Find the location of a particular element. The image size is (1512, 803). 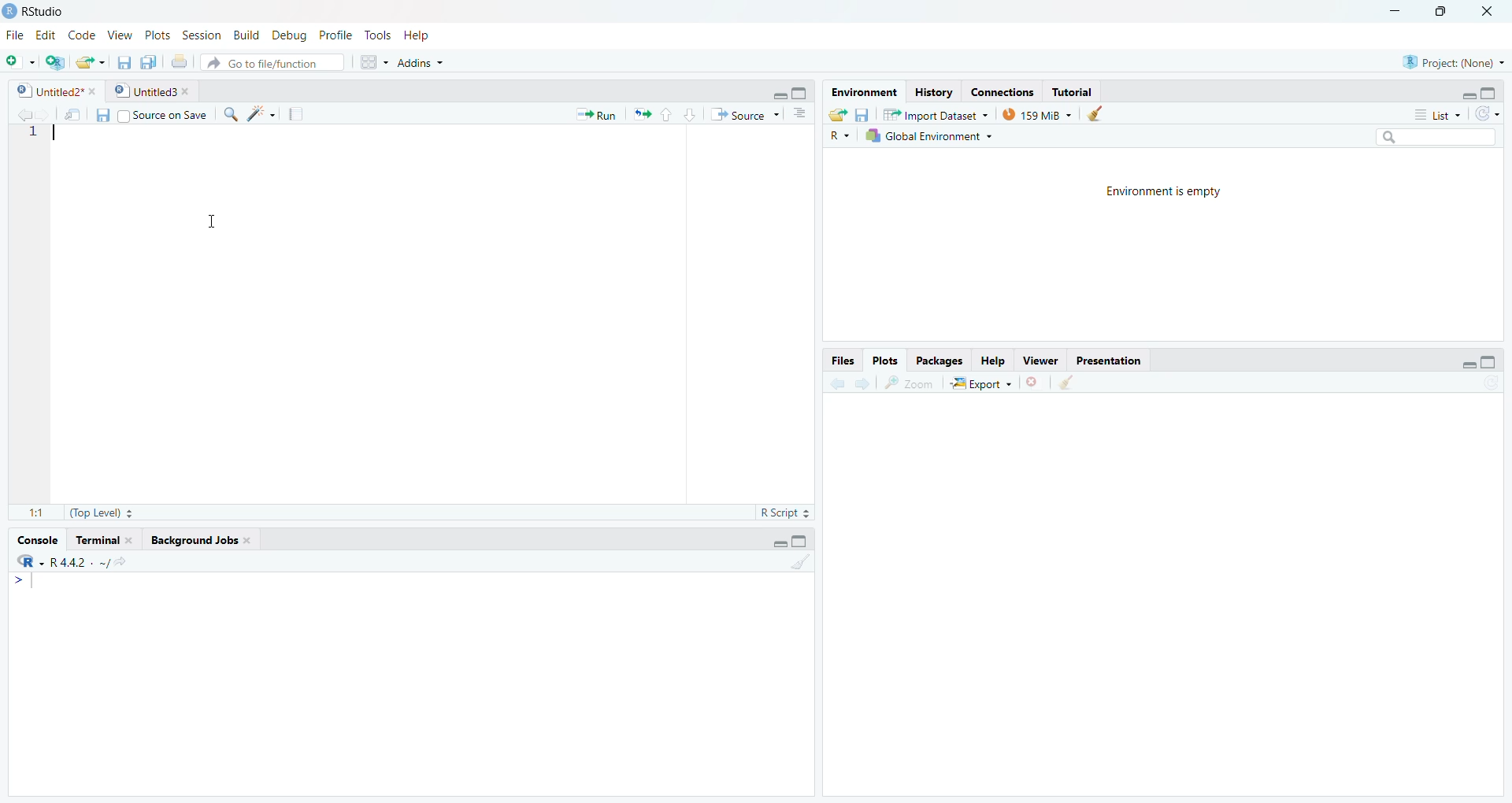

Create a project is located at coordinates (55, 62).